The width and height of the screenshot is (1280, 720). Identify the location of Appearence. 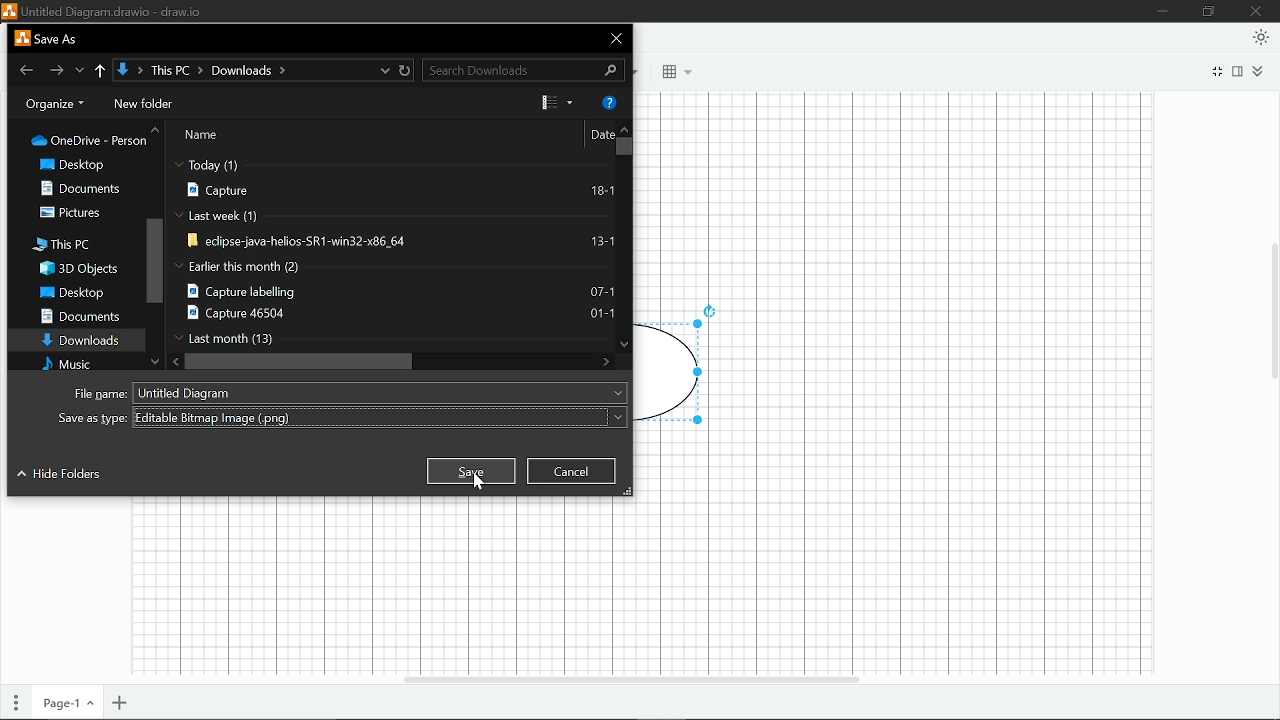
(1261, 38).